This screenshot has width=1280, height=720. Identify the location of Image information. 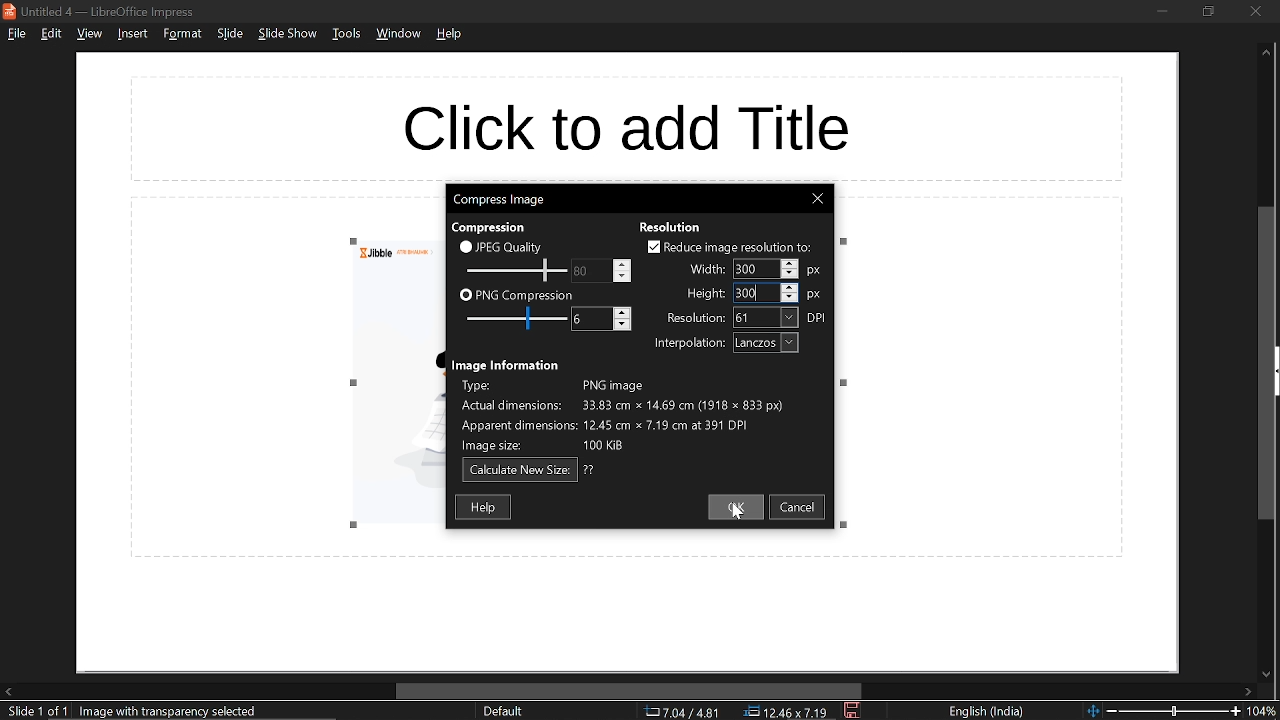
(641, 414).